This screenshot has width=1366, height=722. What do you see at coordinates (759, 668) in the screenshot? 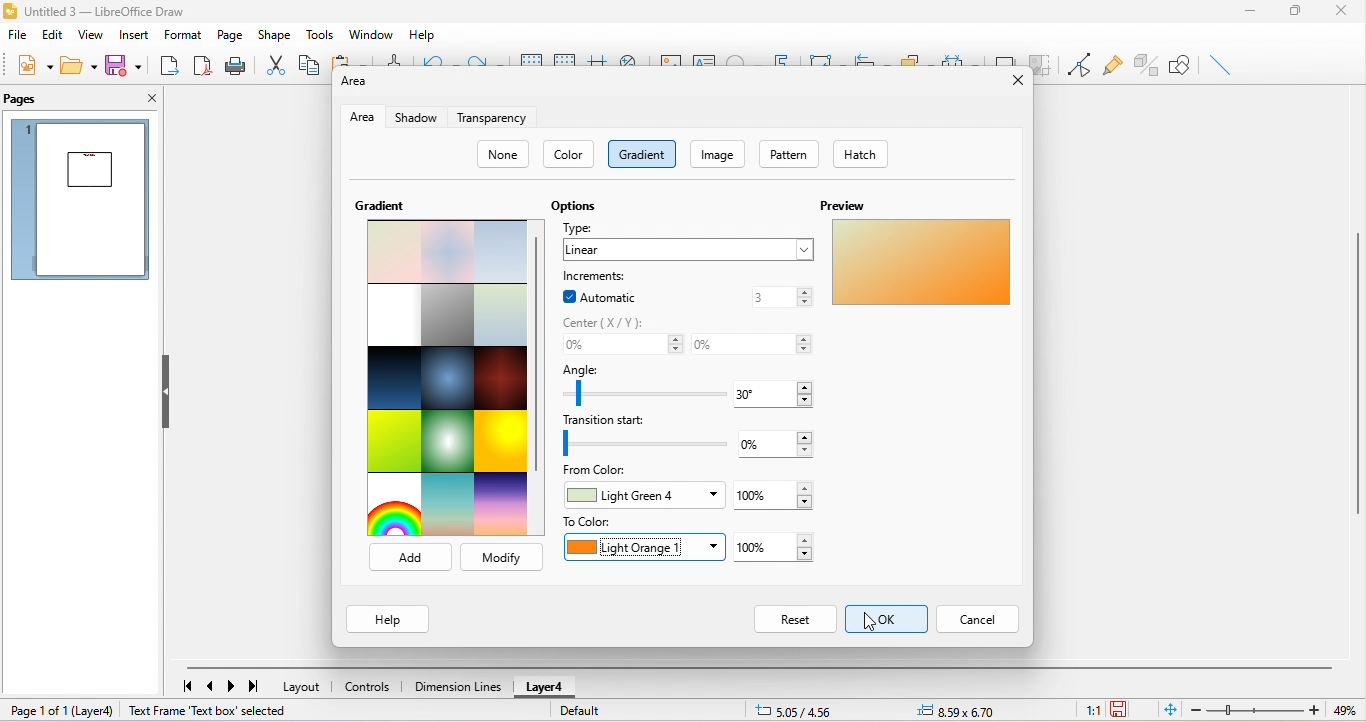
I see `horizontal scroll bar` at bounding box center [759, 668].